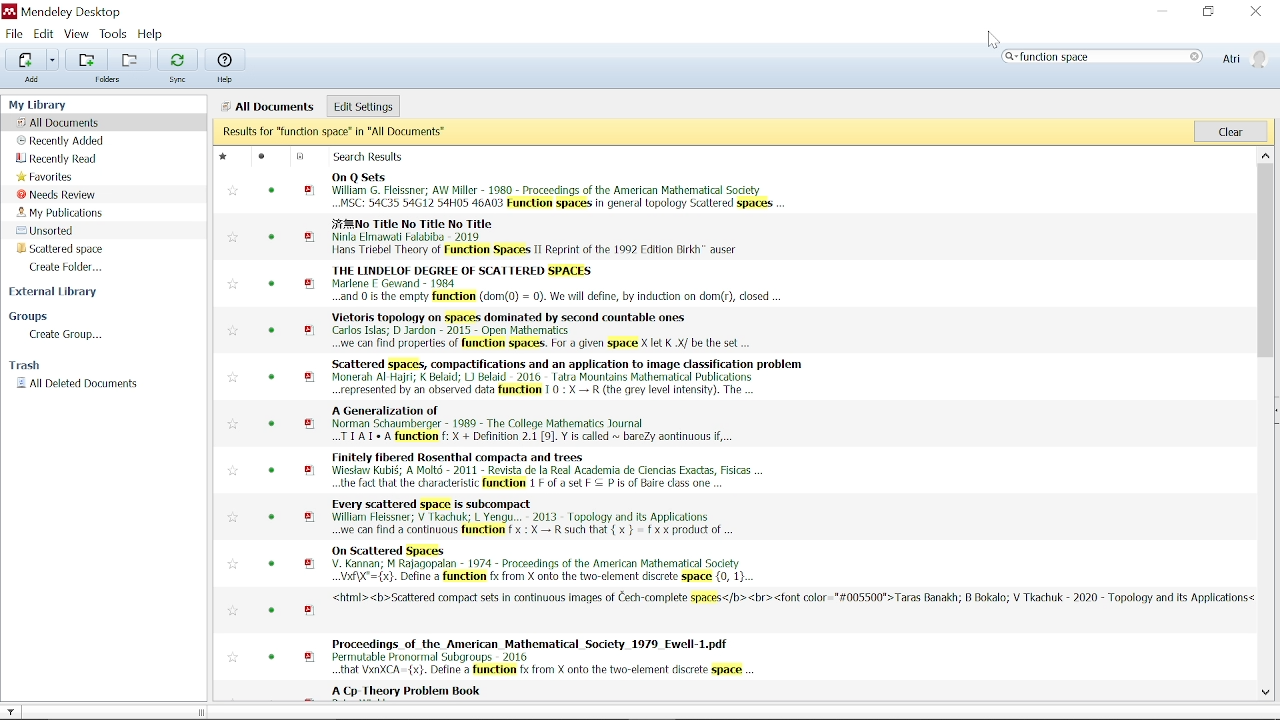 The width and height of the screenshot is (1280, 720). What do you see at coordinates (205, 712) in the screenshot?
I see `change width of the sidebar` at bounding box center [205, 712].